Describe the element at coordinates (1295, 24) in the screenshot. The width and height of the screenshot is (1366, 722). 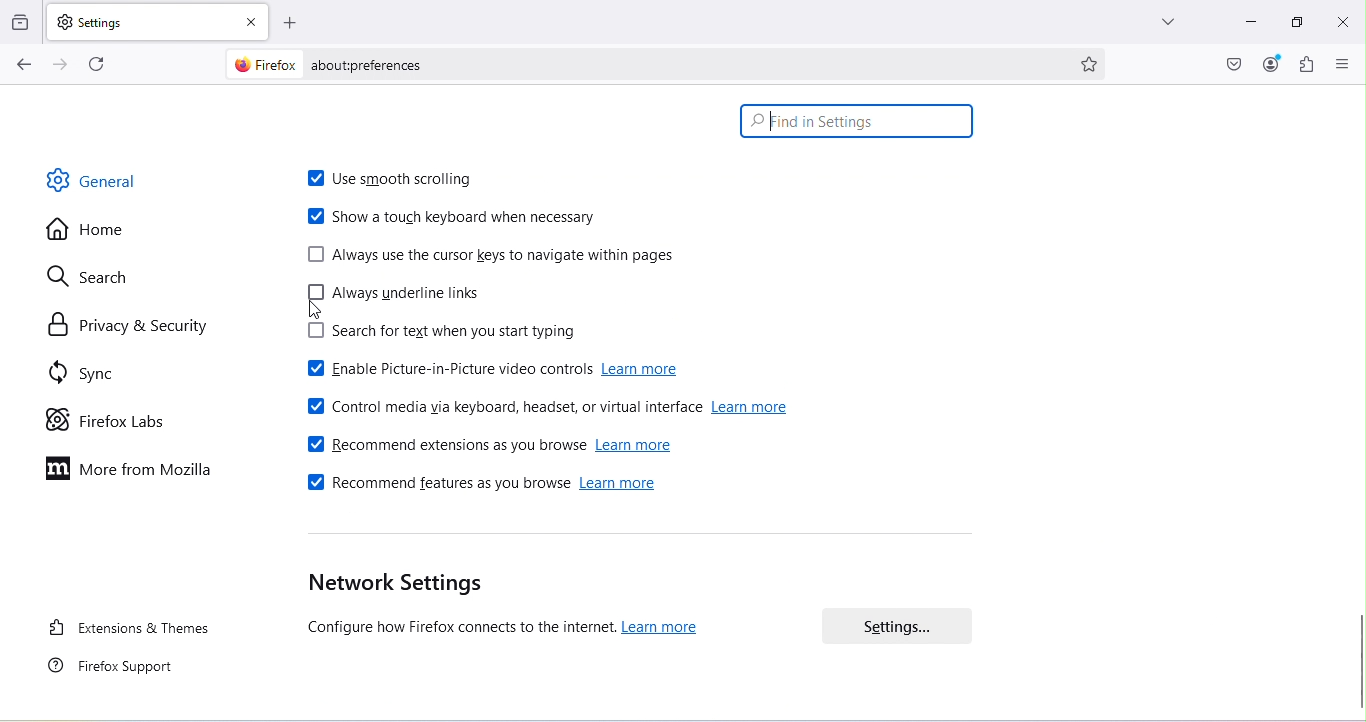
I see `Maximize` at that location.